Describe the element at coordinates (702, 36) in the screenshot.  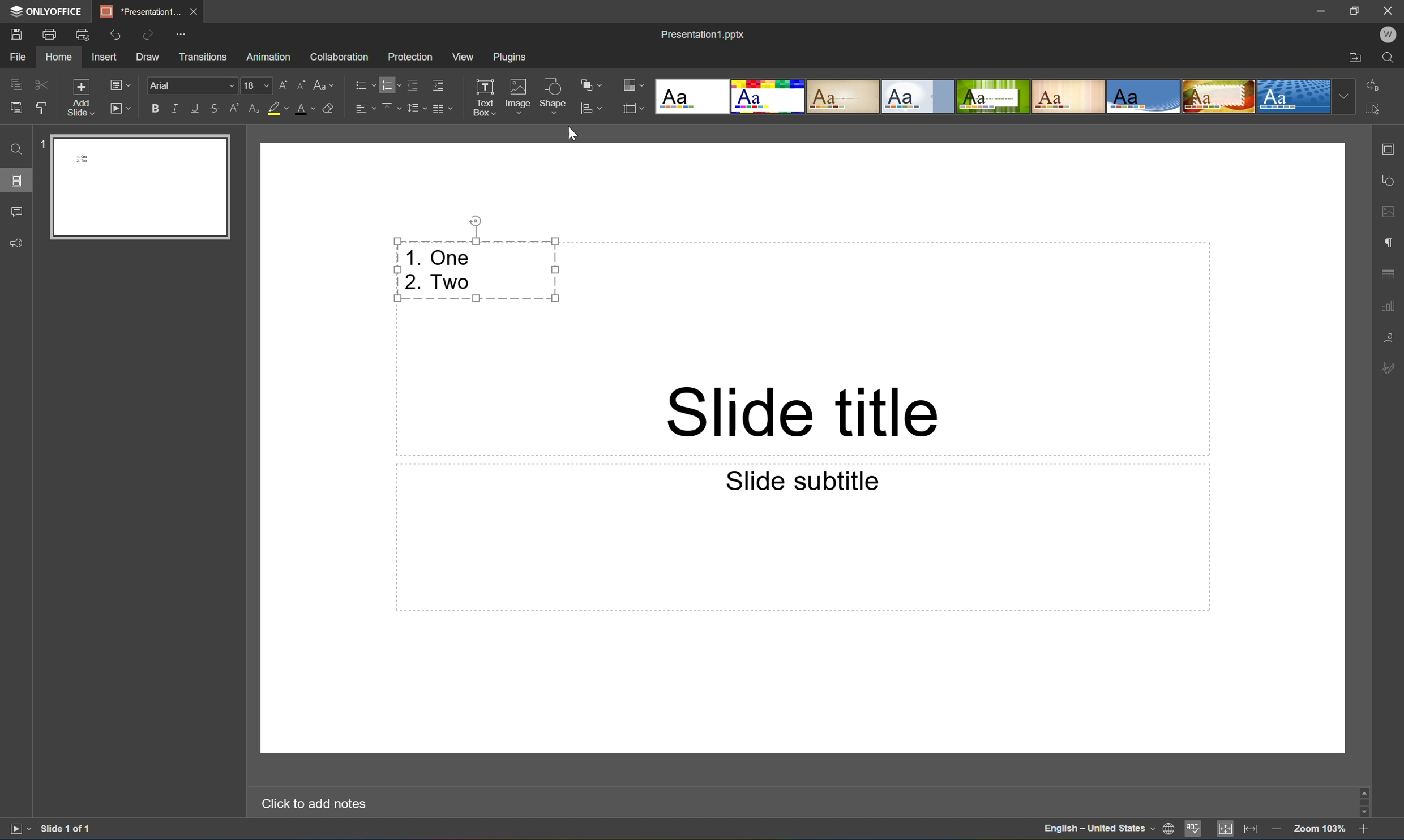
I see `Presentation1.pptx` at that location.